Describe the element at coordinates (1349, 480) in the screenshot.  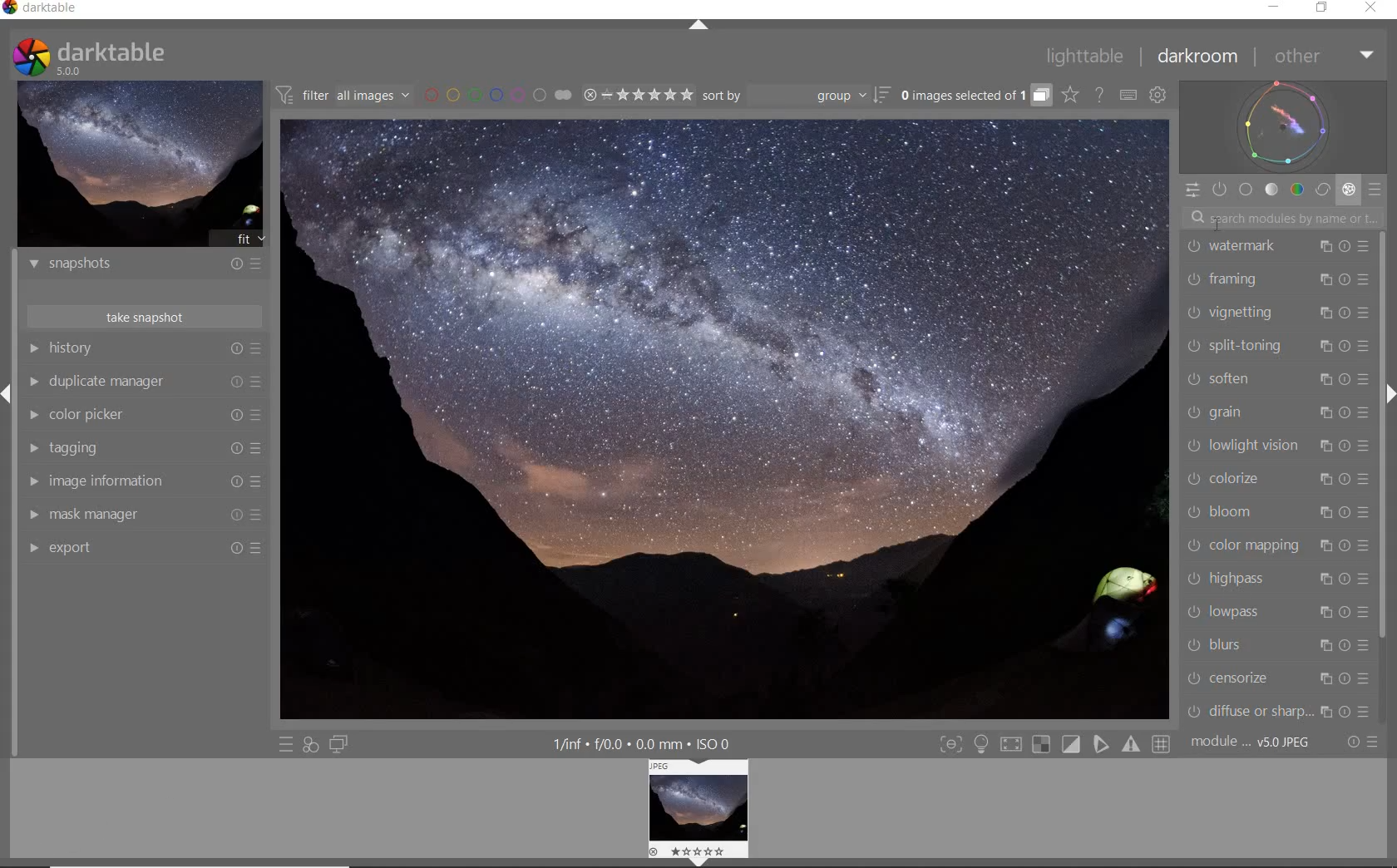
I see `reset parameters` at that location.